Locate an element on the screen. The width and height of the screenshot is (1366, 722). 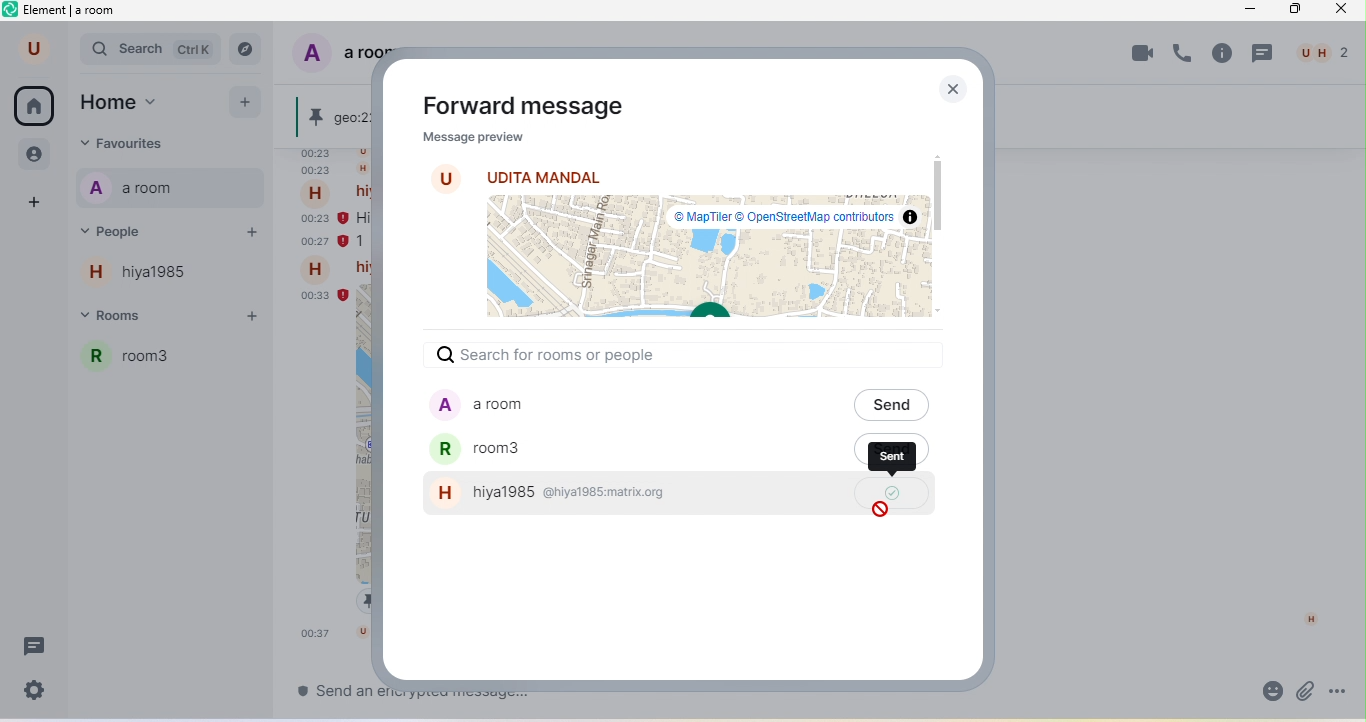
search is located at coordinates (152, 51).